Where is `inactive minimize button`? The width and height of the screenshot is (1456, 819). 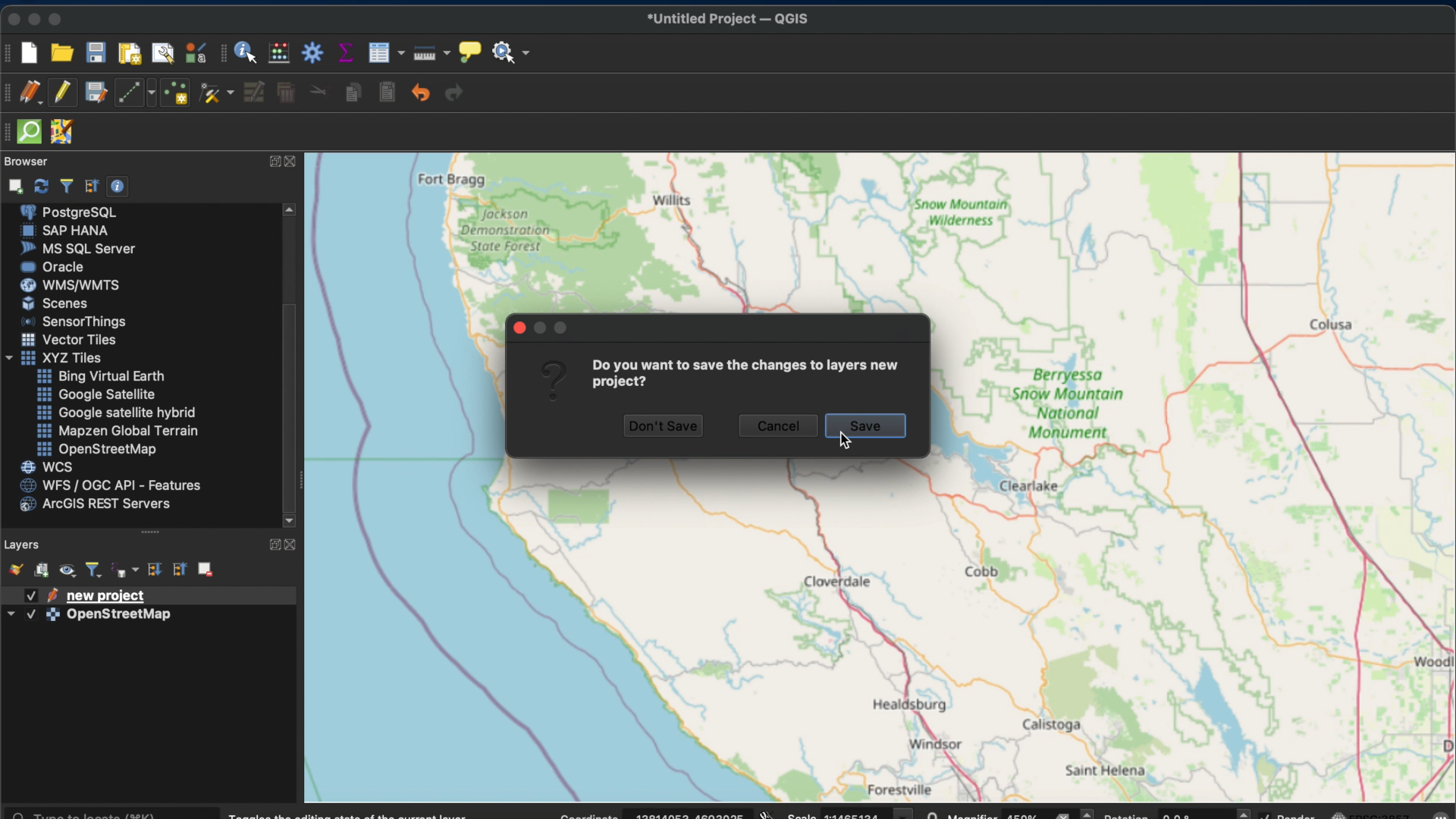 inactive minimize button is located at coordinates (540, 327).